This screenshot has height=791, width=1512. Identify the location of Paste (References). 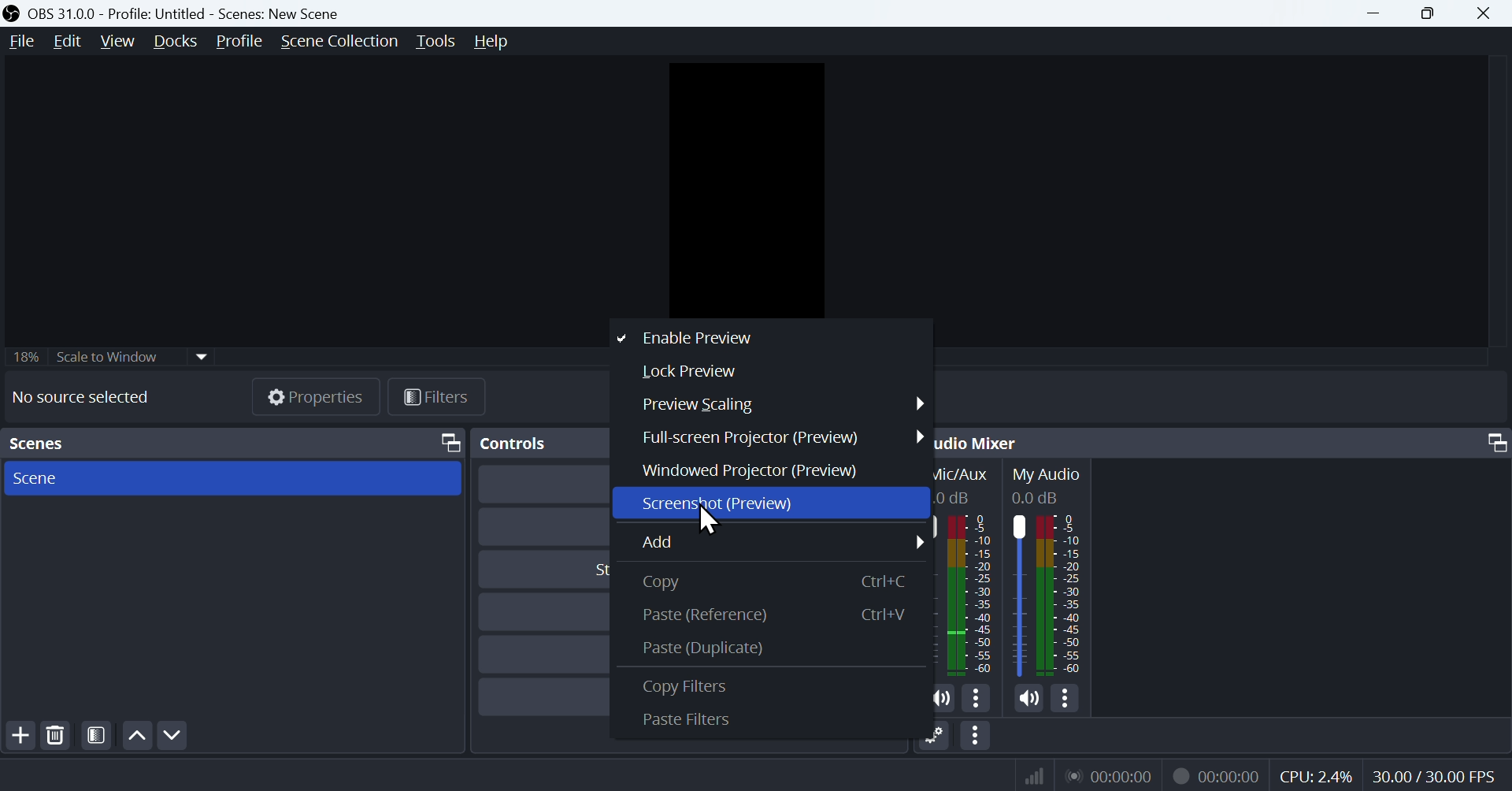
(766, 617).